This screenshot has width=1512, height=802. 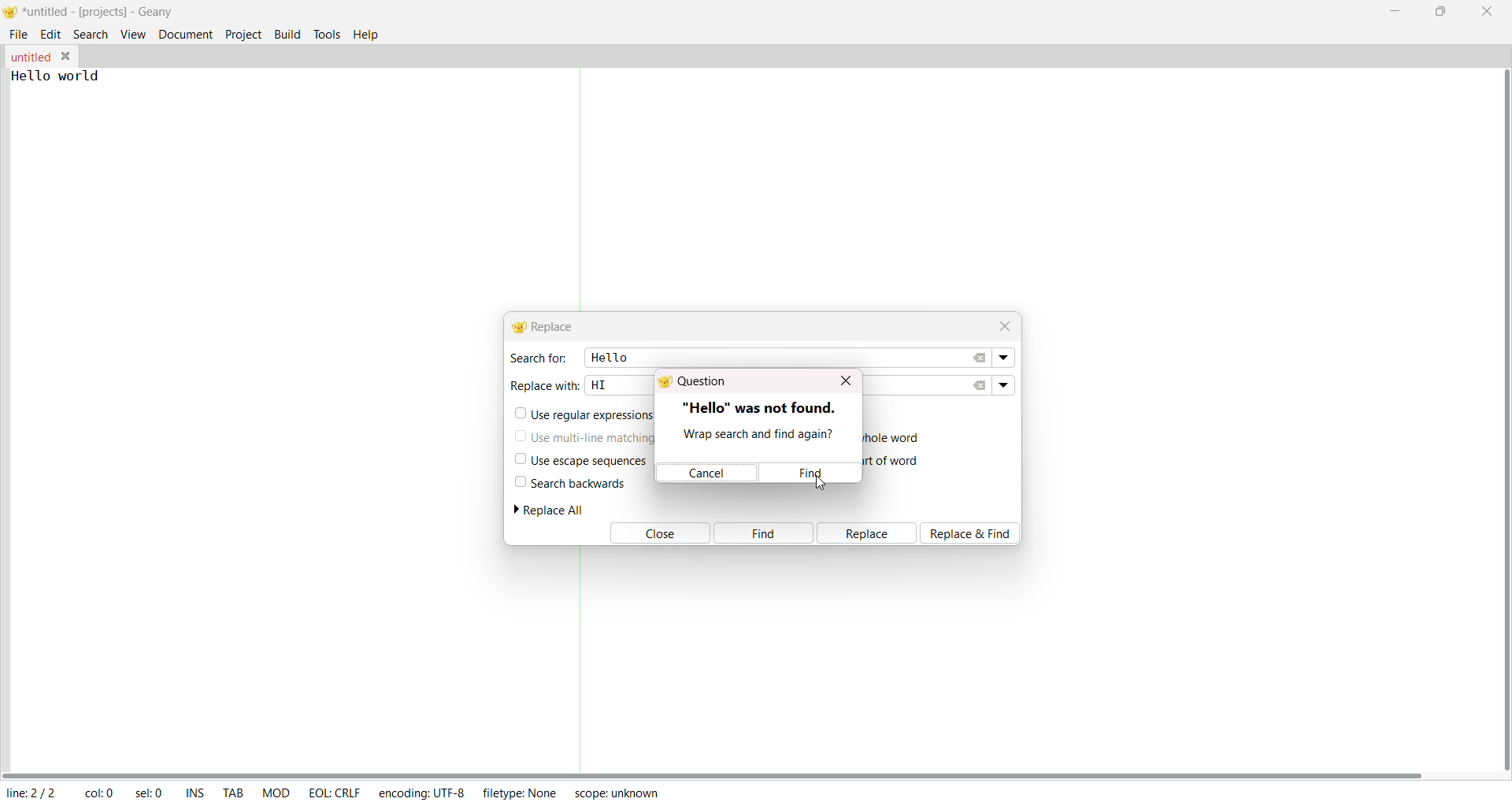 What do you see at coordinates (234, 794) in the screenshot?
I see `tab` at bounding box center [234, 794].